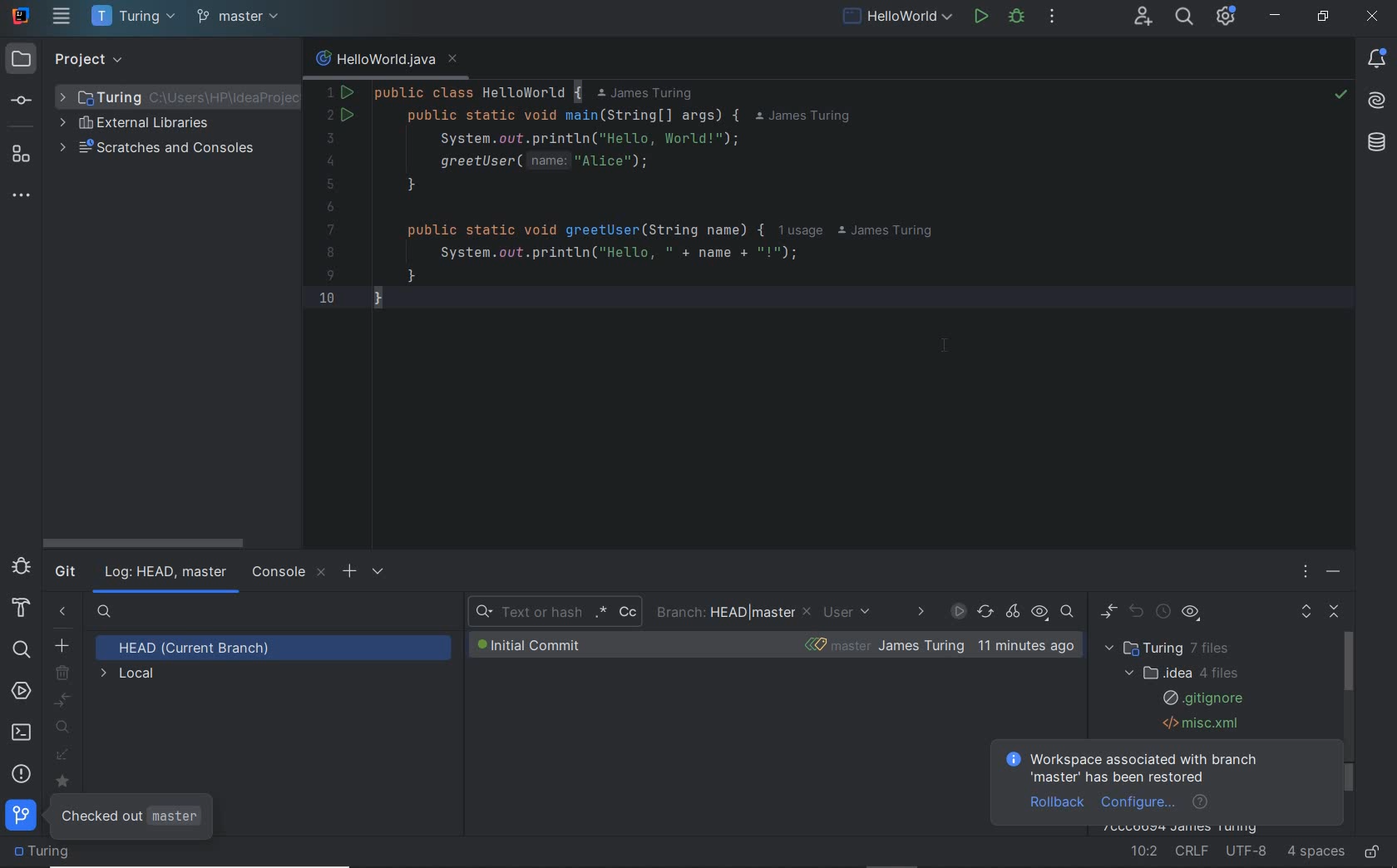  Describe the element at coordinates (550, 645) in the screenshot. I see `INITIAL COMMIT` at that location.